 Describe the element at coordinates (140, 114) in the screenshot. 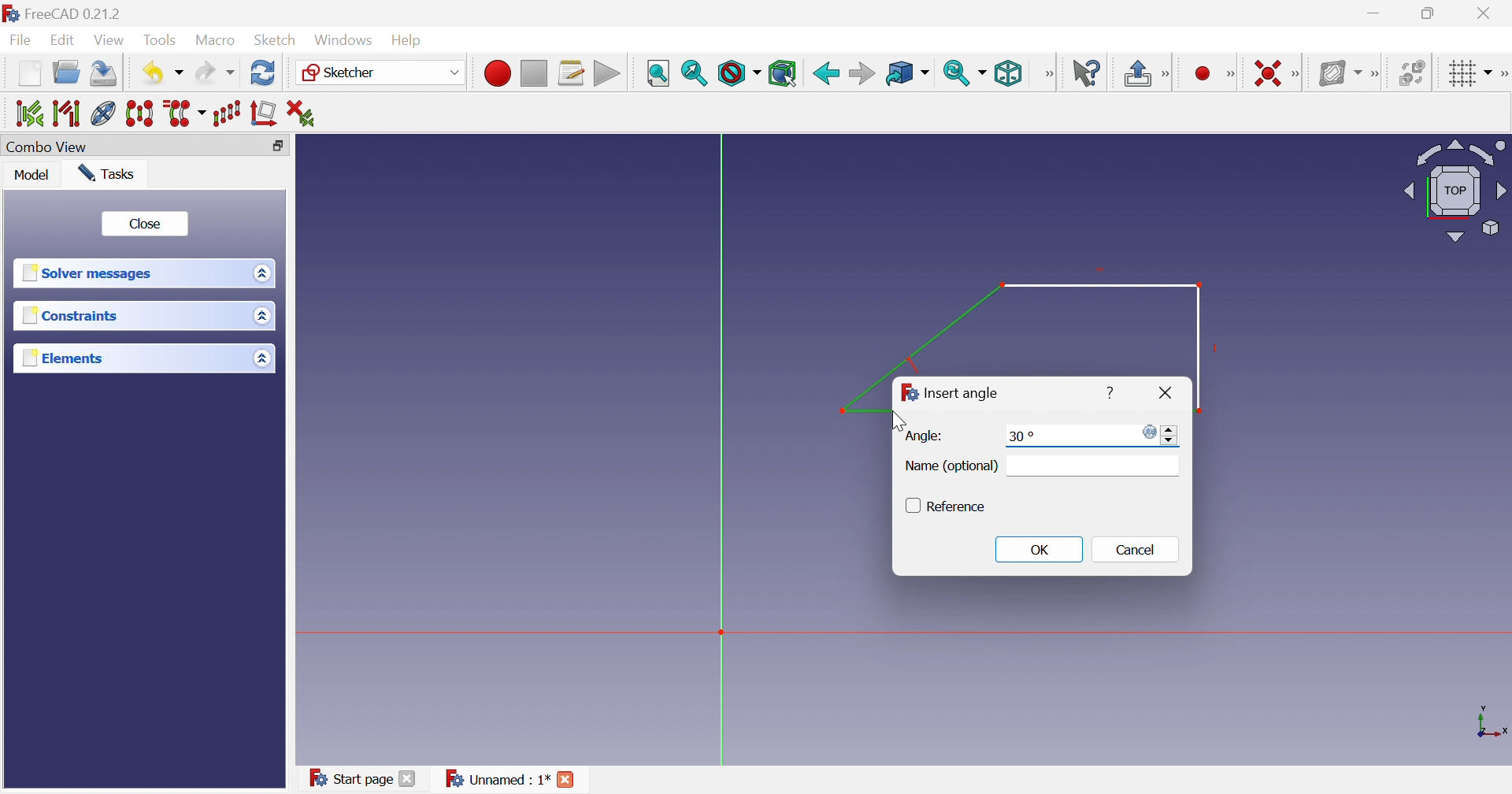

I see `Symmetry` at that location.